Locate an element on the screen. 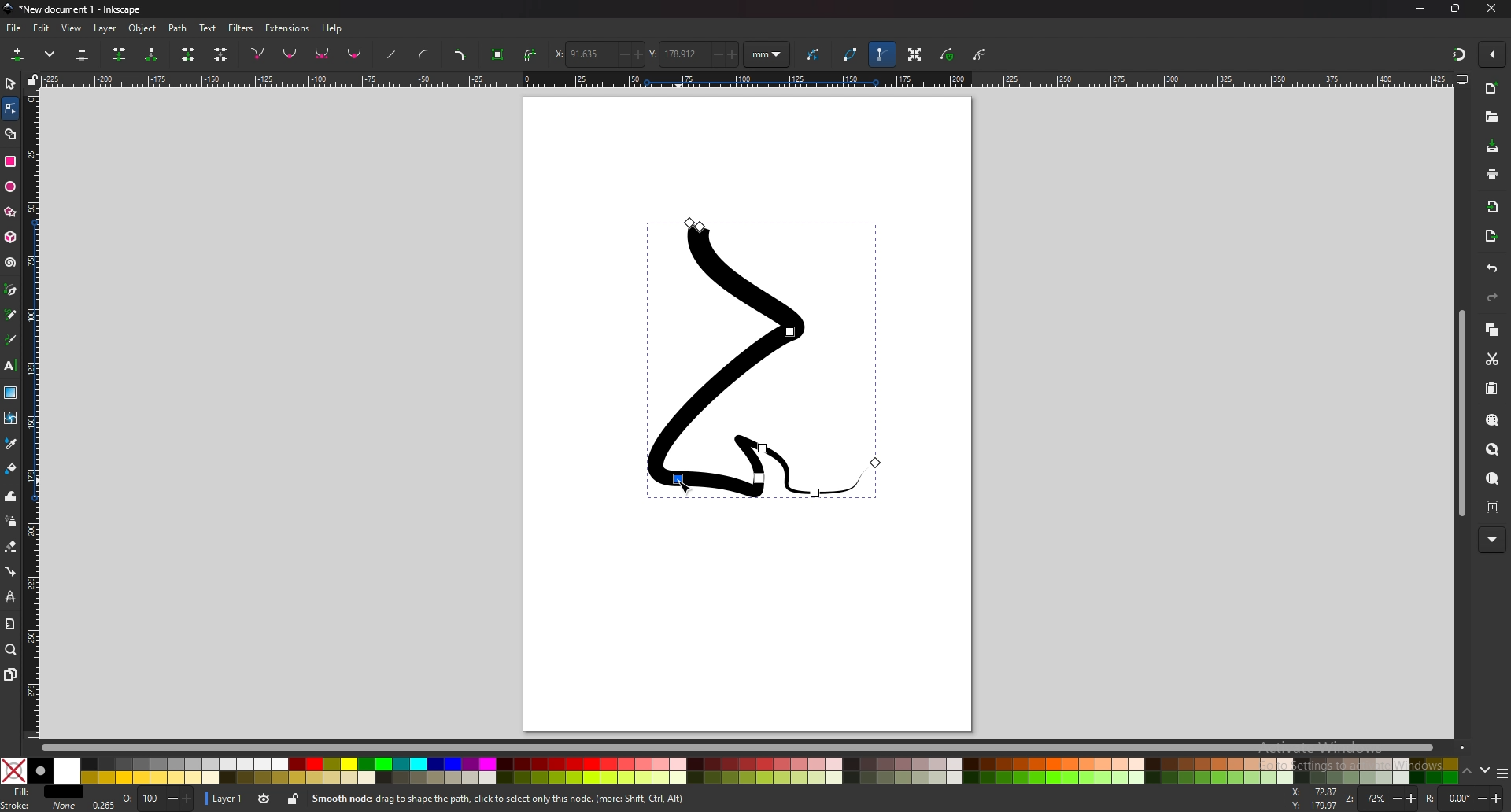 This screenshot has height=812, width=1511. close is located at coordinates (1491, 9).